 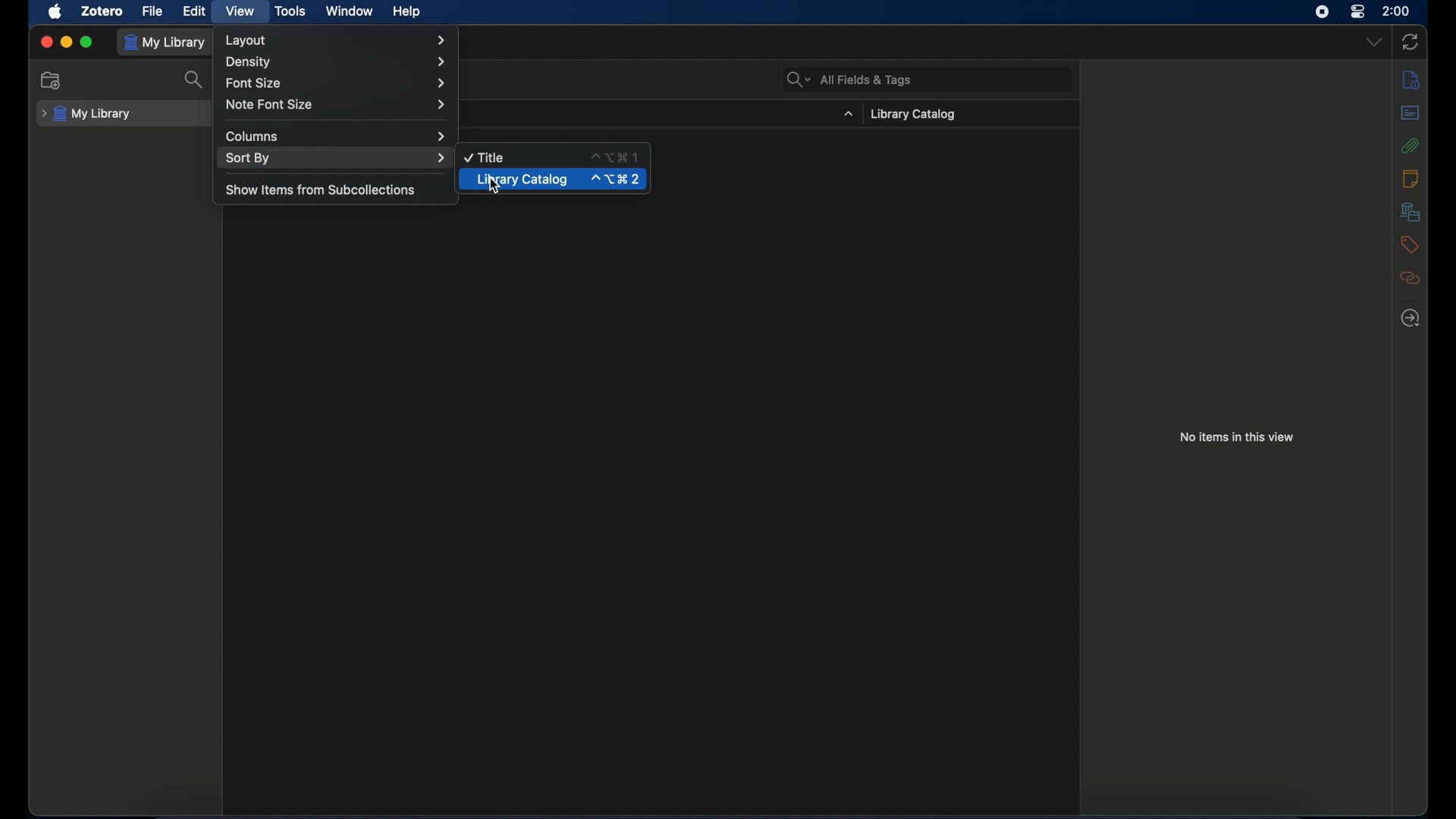 What do you see at coordinates (242, 11) in the screenshot?
I see `view` at bounding box center [242, 11].